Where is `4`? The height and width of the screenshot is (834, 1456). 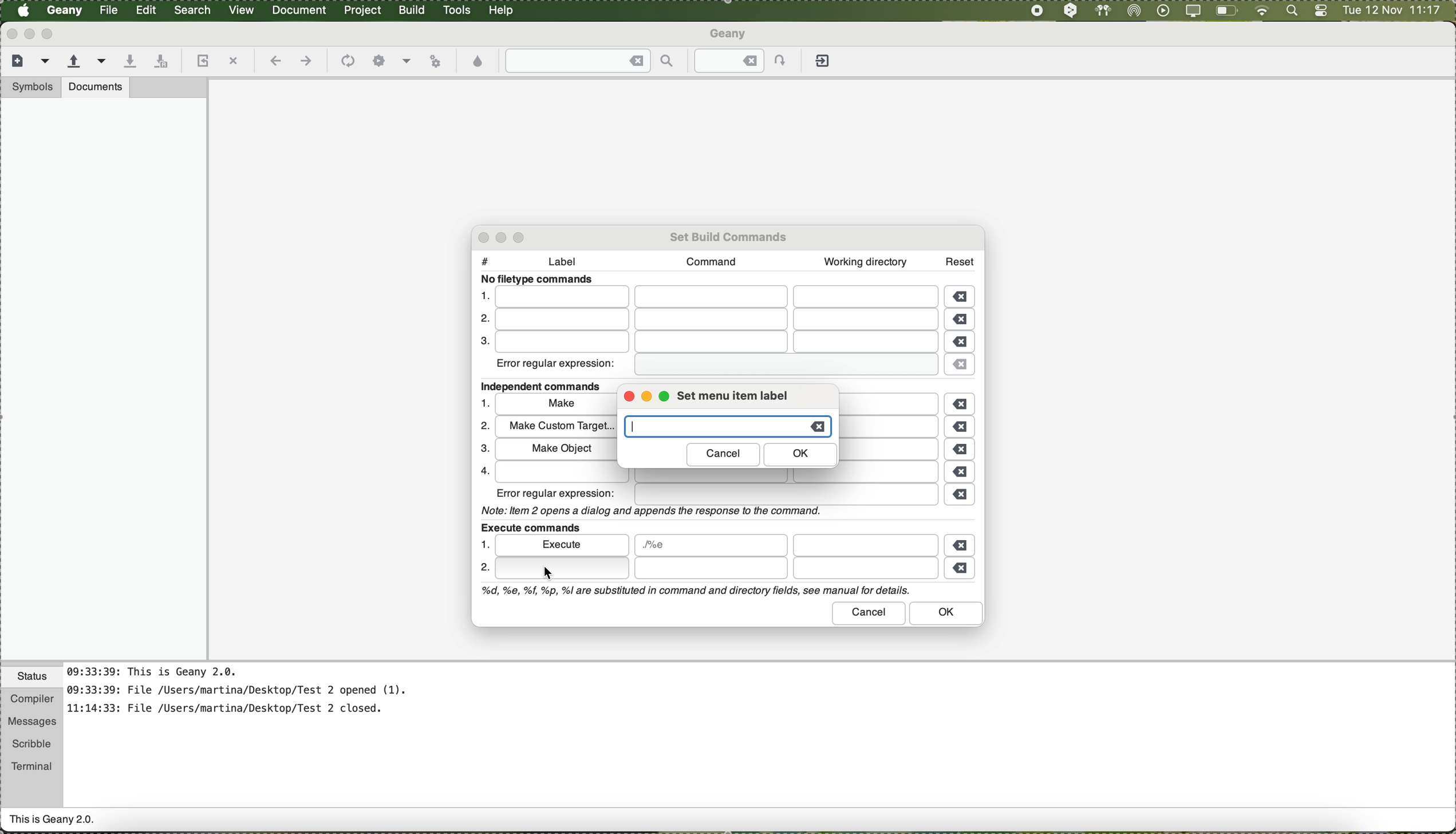 4 is located at coordinates (482, 470).